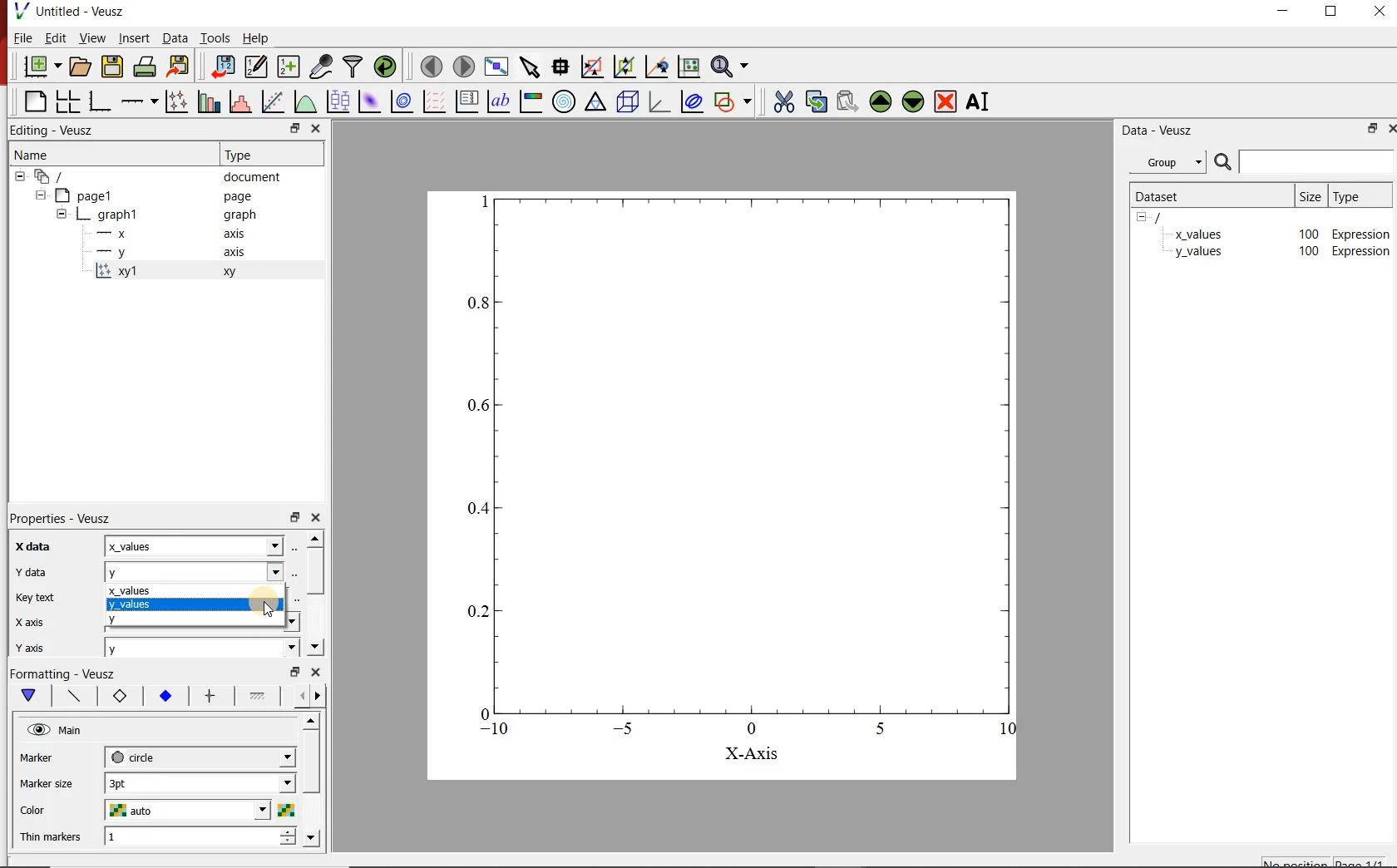  Describe the element at coordinates (1389, 128) in the screenshot. I see `close` at that location.